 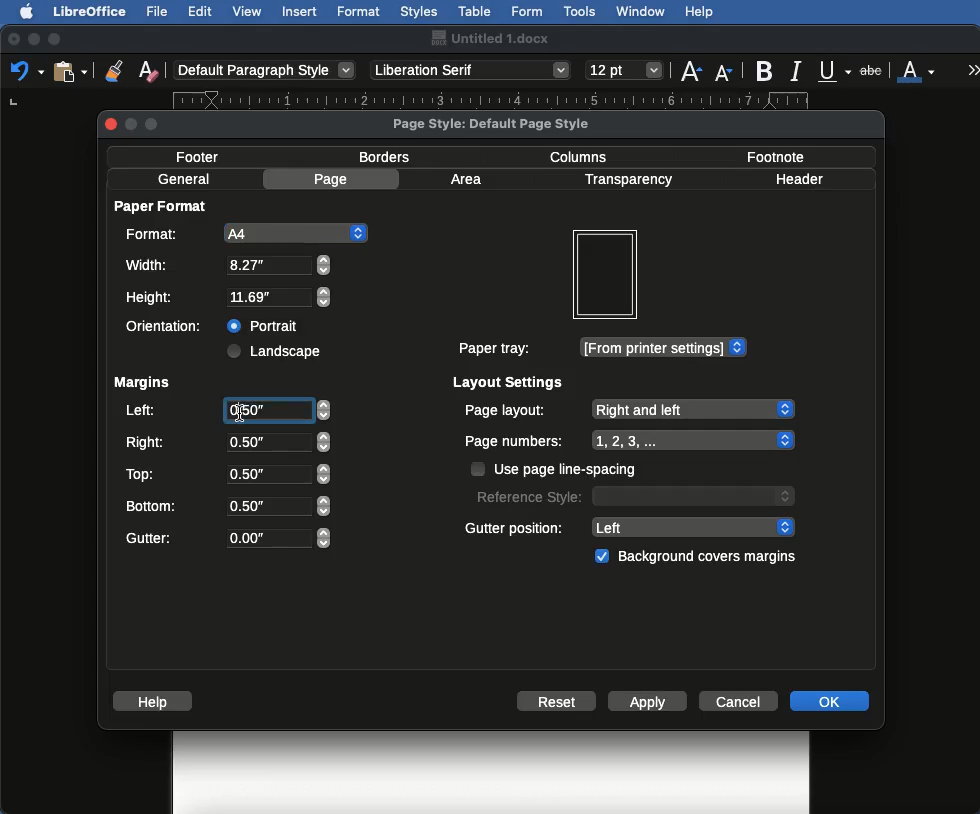 What do you see at coordinates (774, 156) in the screenshot?
I see `Footnote` at bounding box center [774, 156].